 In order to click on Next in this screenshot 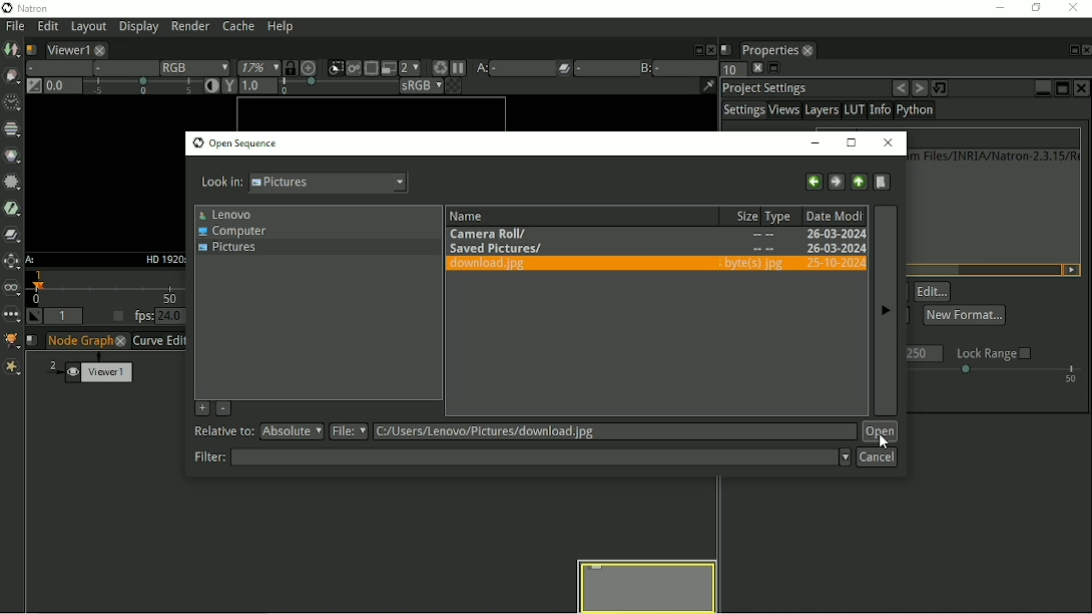, I will do `click(884, 310)`.